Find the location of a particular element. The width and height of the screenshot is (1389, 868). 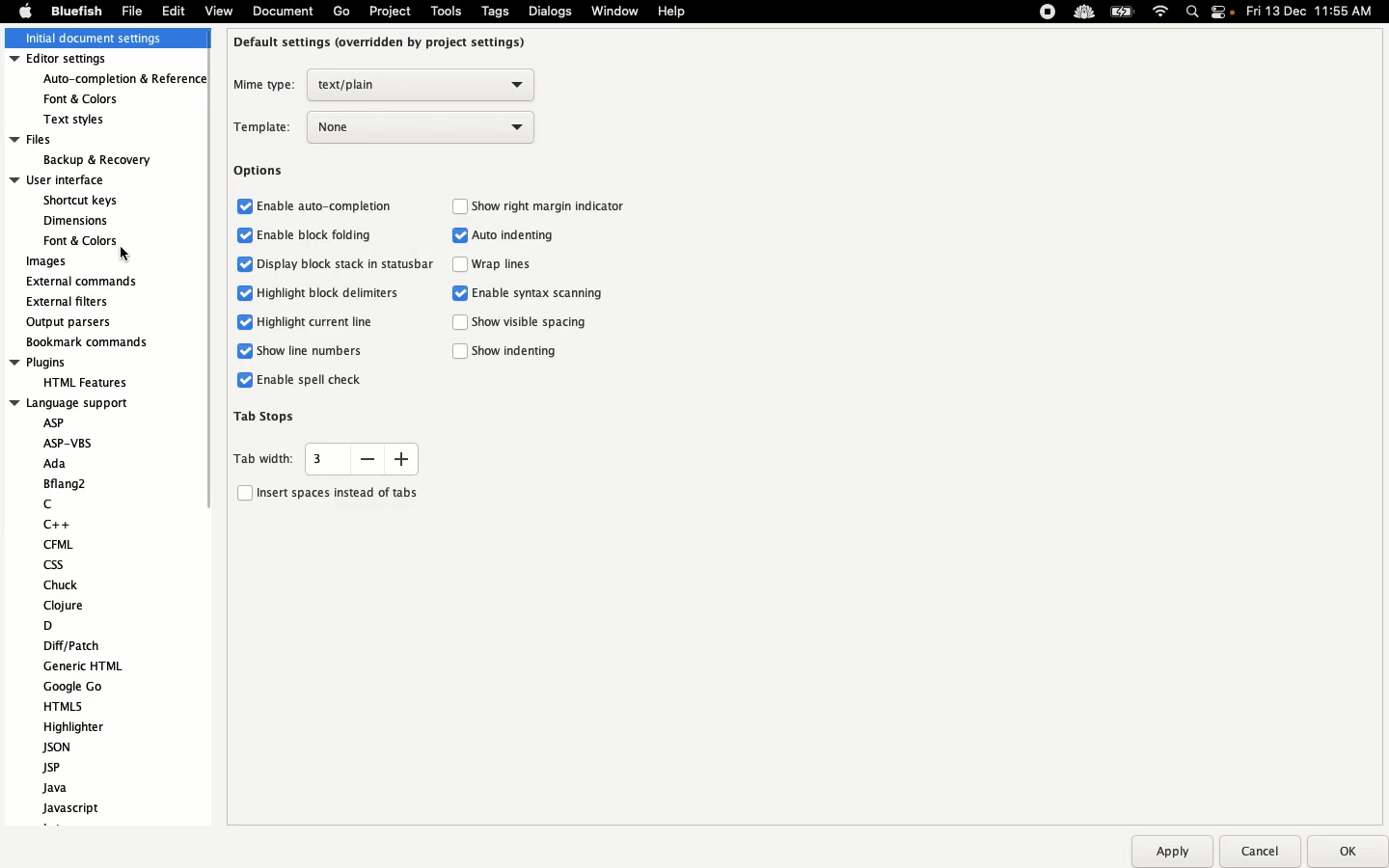

Auto indenting is located at coordinates (507, 236).